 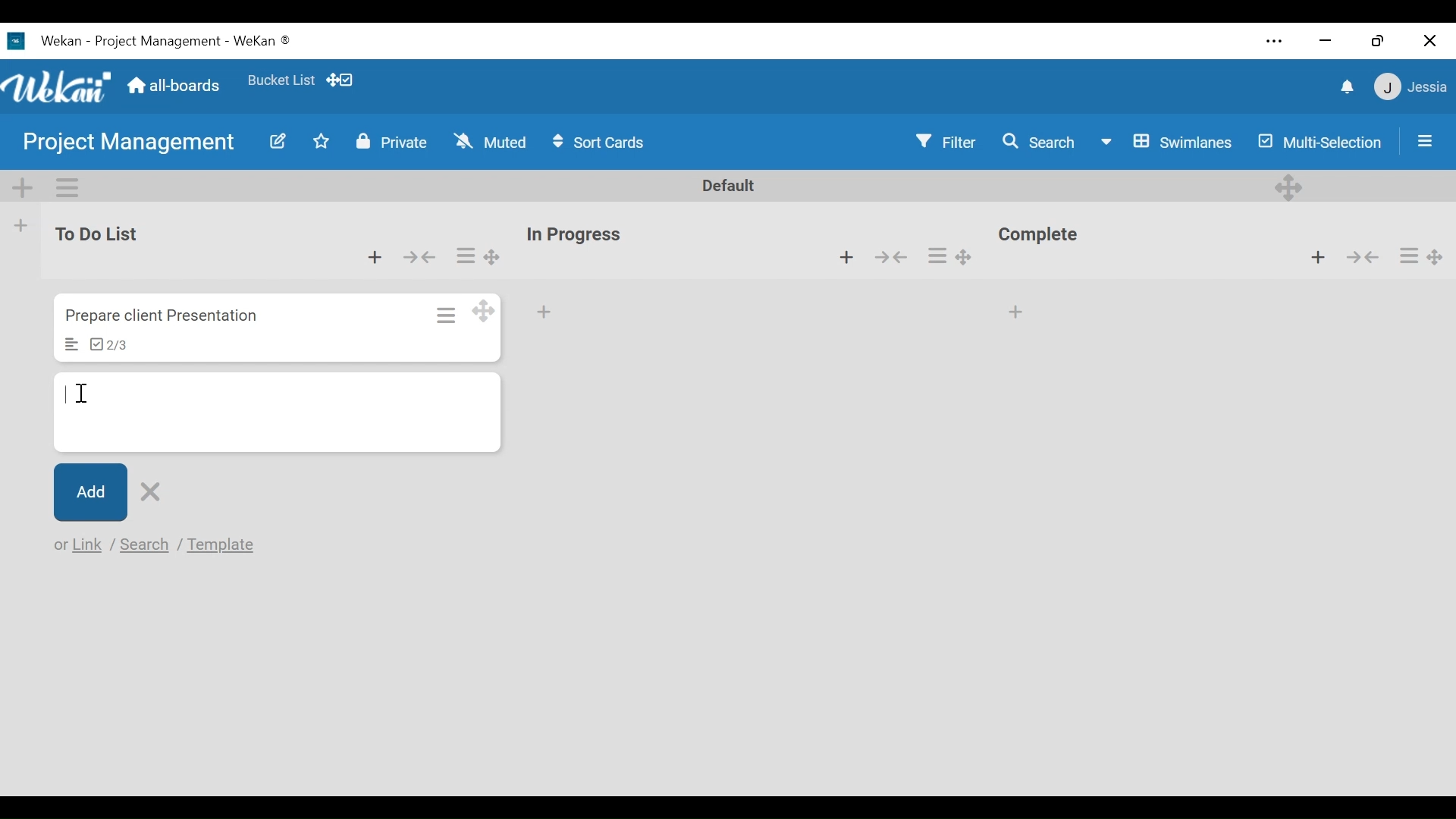 I want to click on Sort cards, so click(x=601, y=143).